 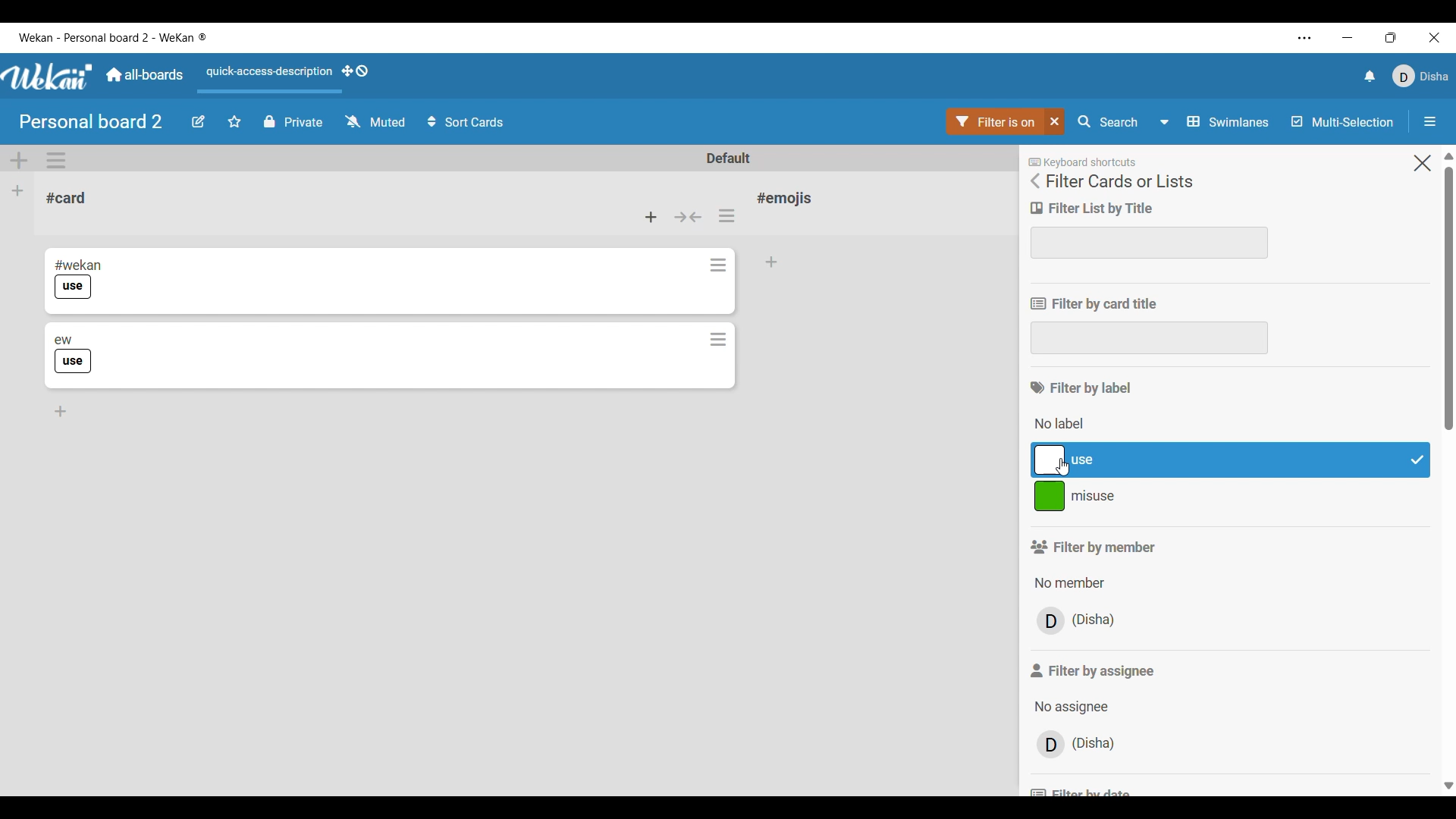 What do you see at coordinates (1093, 209) in the screenshot?
I see `Filter title` at bounding box center [1093, 209].